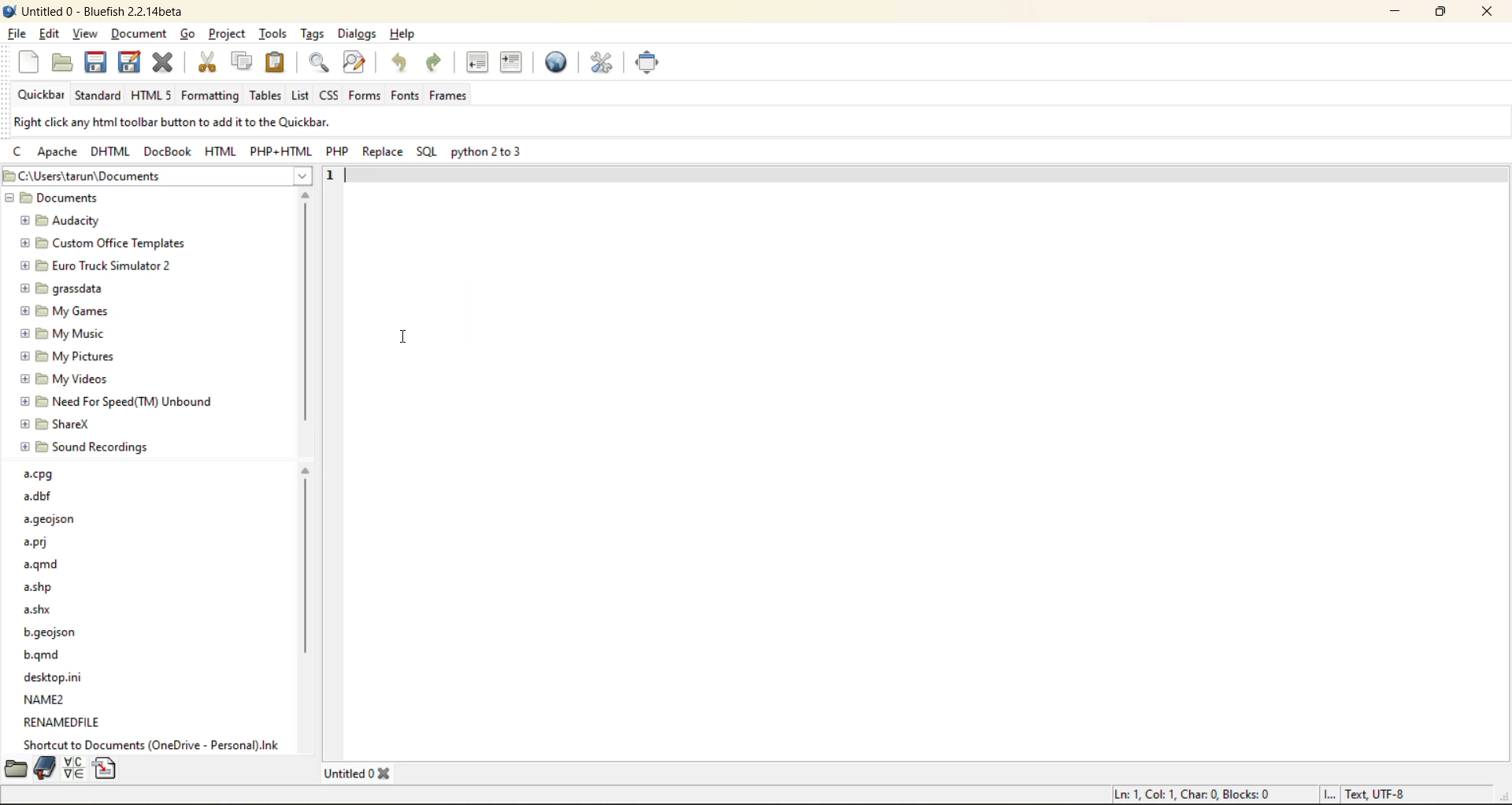  I want to click on maximize, so click(1439, 12).